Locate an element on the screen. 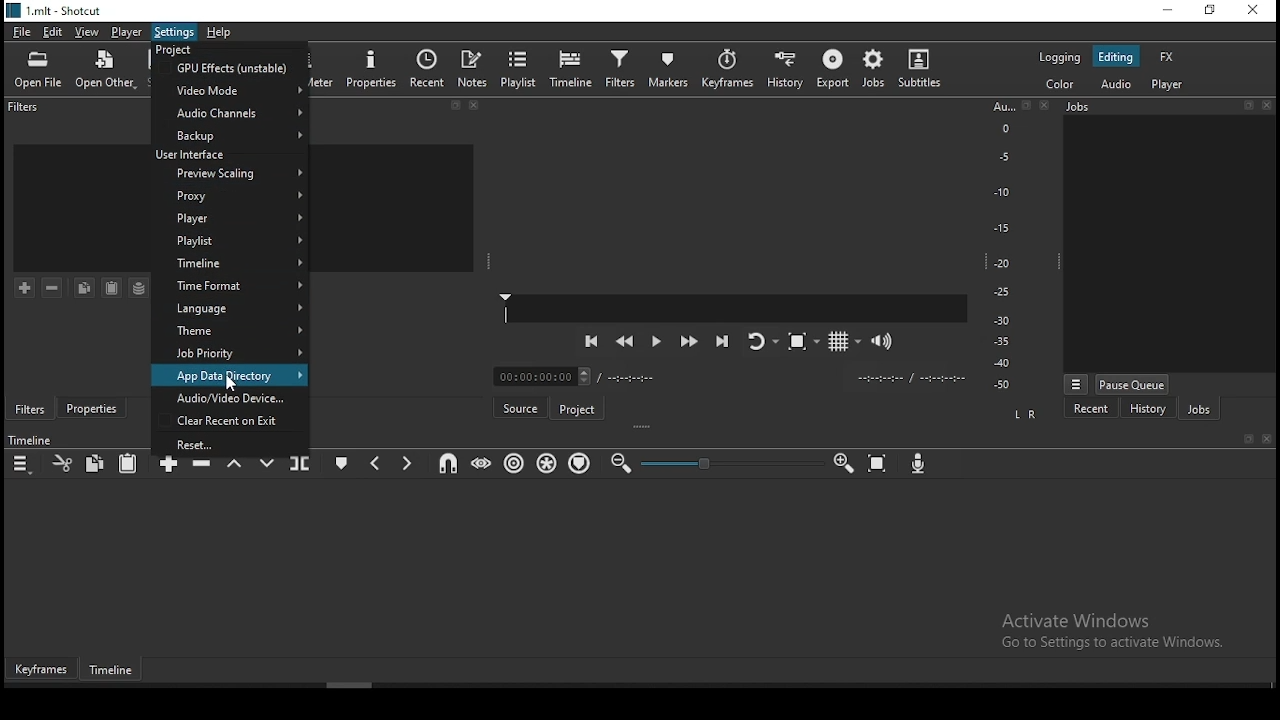 Image resolution: width=1280 pixels, height=720 pixels. copy is located at coordinates (98, 464).